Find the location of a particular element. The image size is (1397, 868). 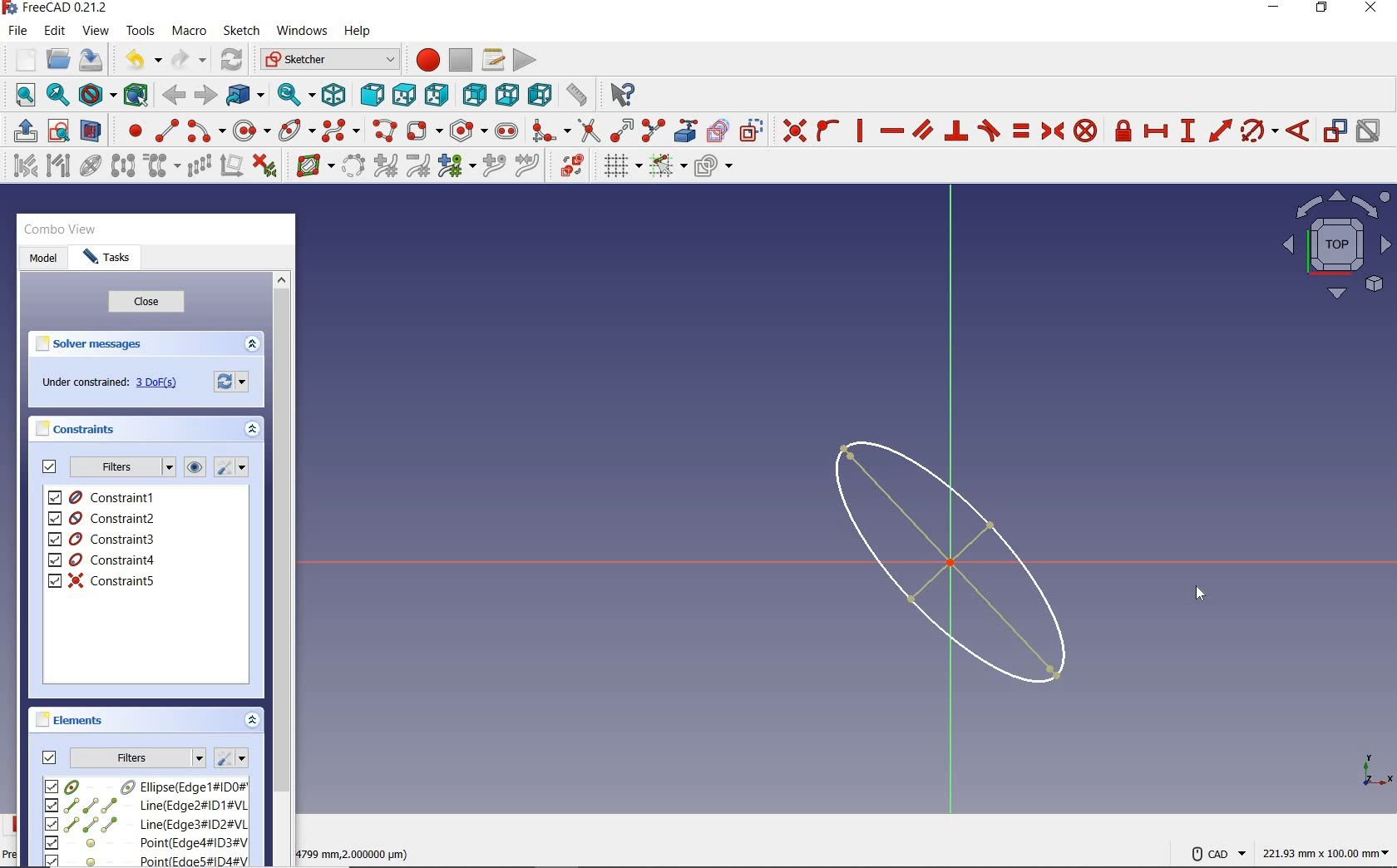

draw style is located at coordinates (97, 94).